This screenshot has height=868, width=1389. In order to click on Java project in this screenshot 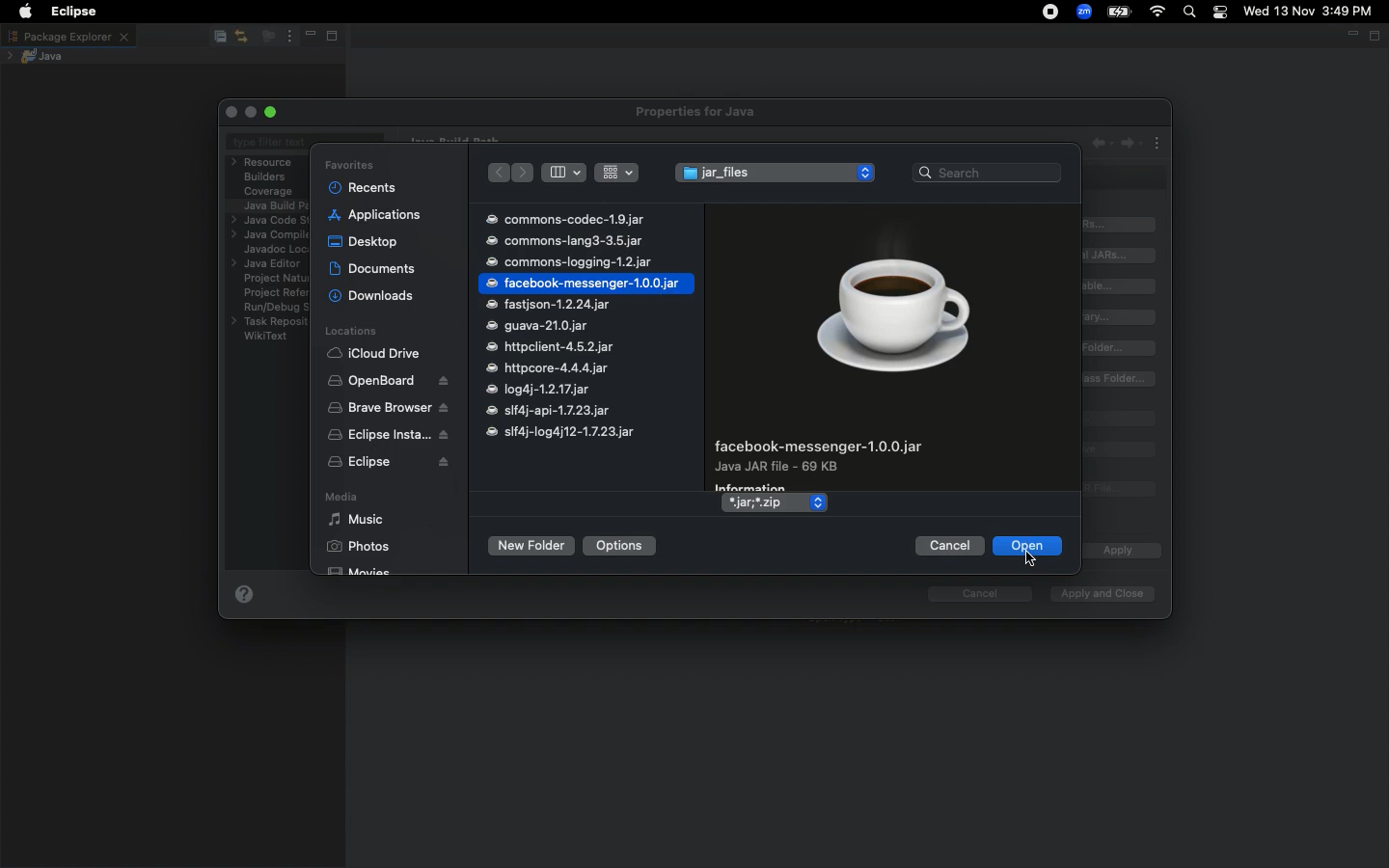, I will do `click(40, 56)`.